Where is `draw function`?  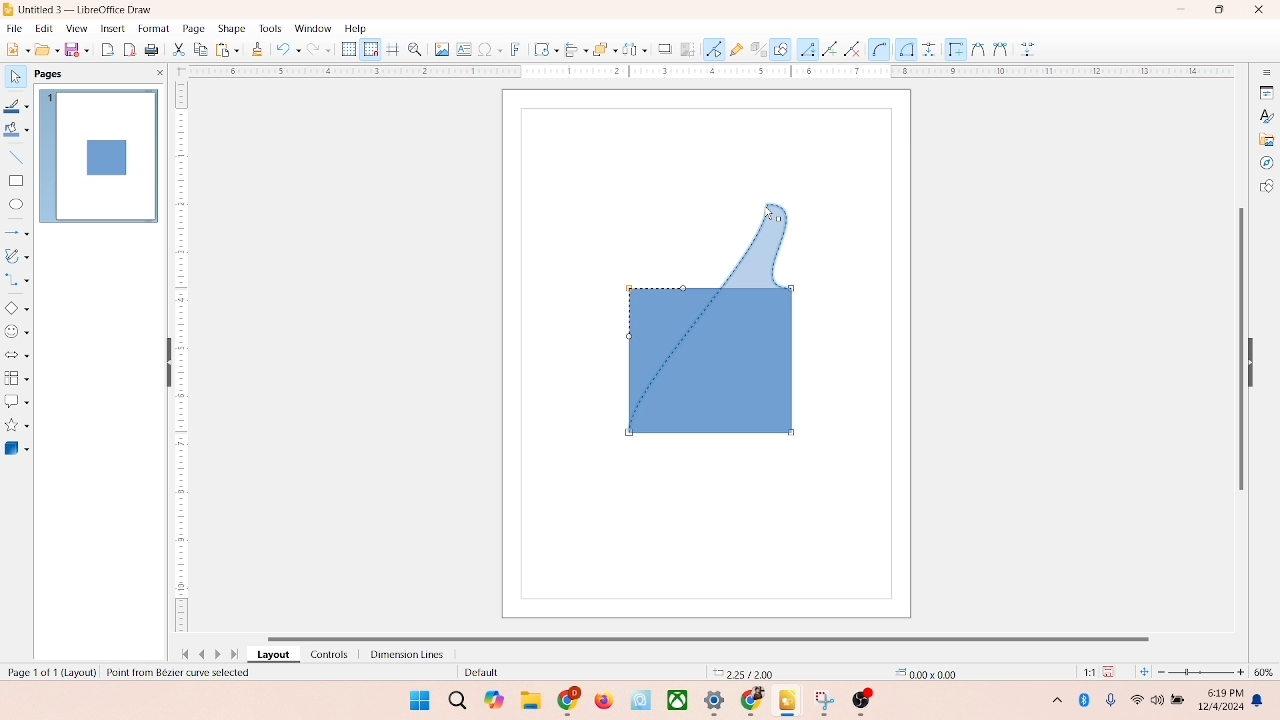
draw function is located at coordinates (781, 48).